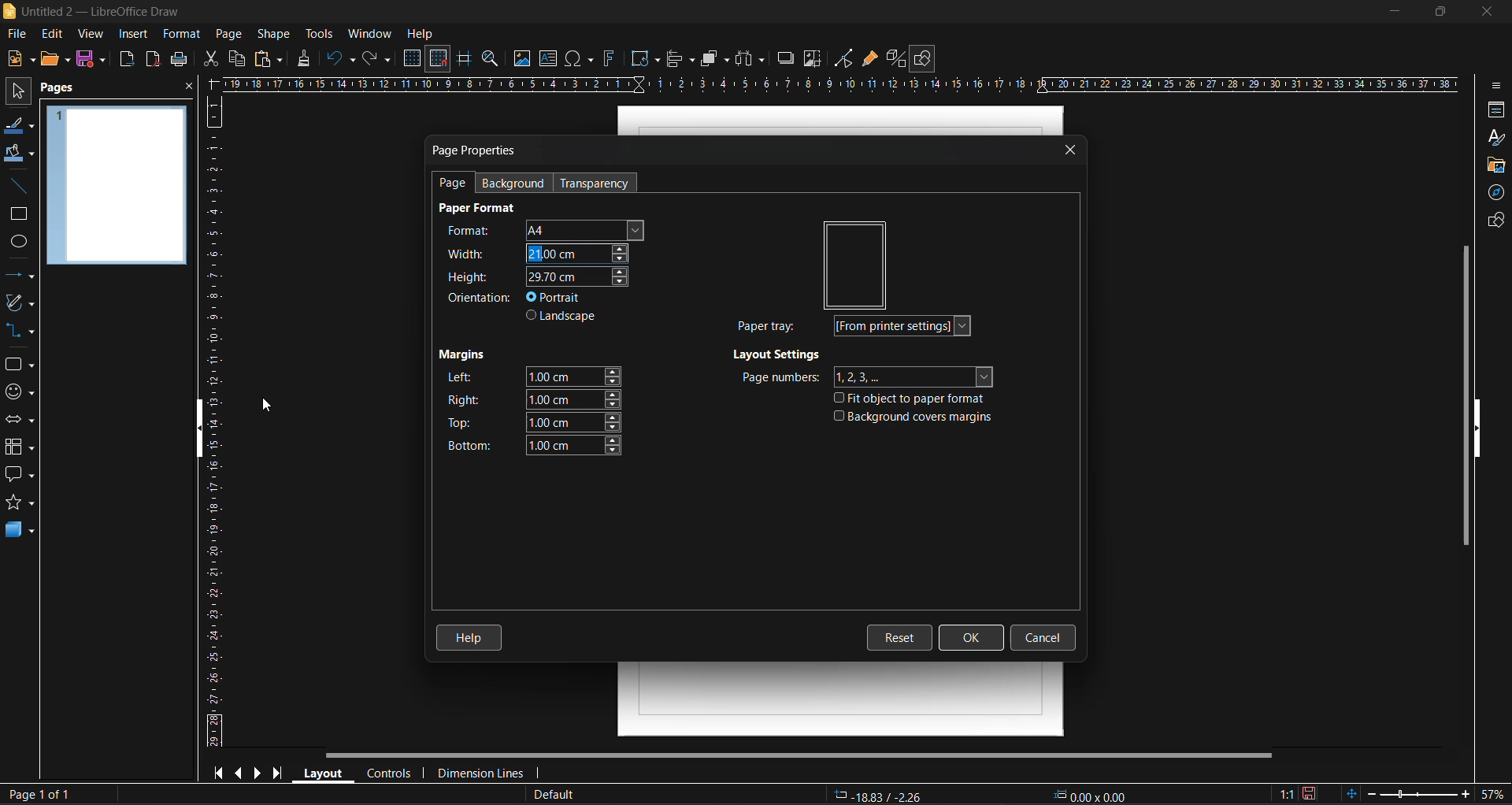 This screenshot has width=1512, height=805. What do you see at coordinates (53, 33) in the screenshot?
I see `edit` at bounding box center [53, 33].